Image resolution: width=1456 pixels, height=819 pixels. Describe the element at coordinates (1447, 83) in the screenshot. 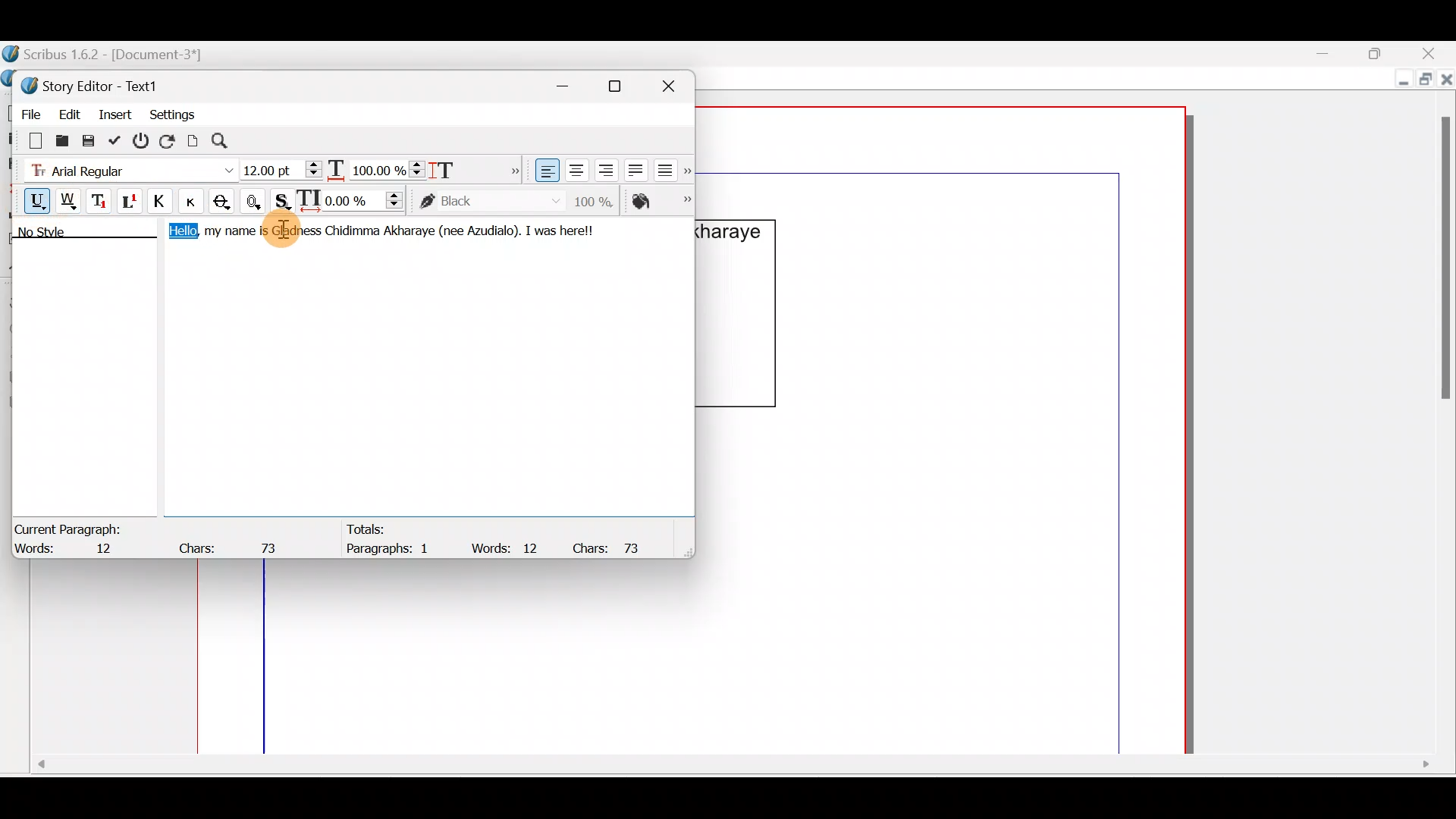

I see `Close` at that location.